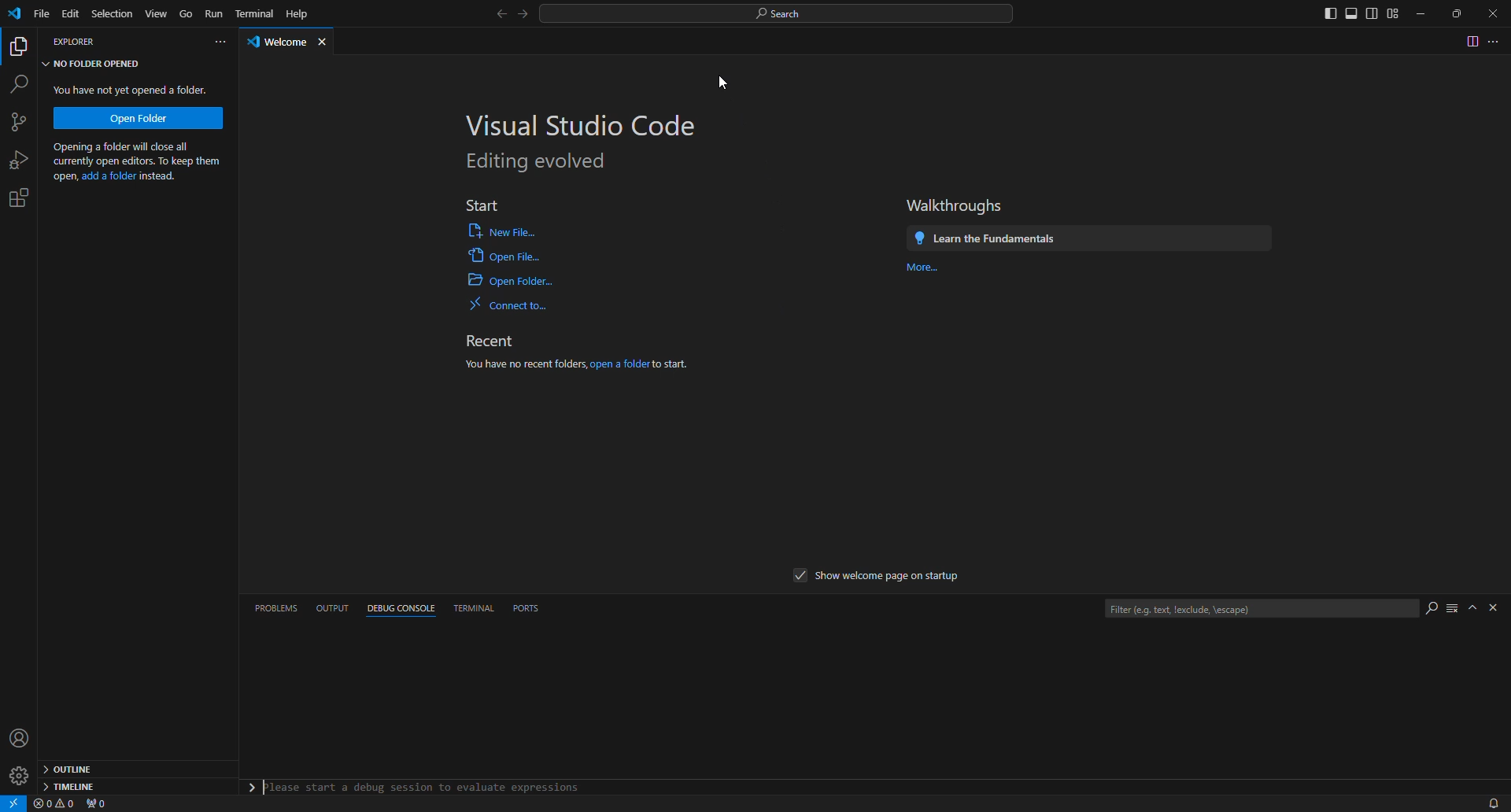 The height and width of the screenshot is (812, 1511). I want to click on show welcome page on startup, so click(884, 575).